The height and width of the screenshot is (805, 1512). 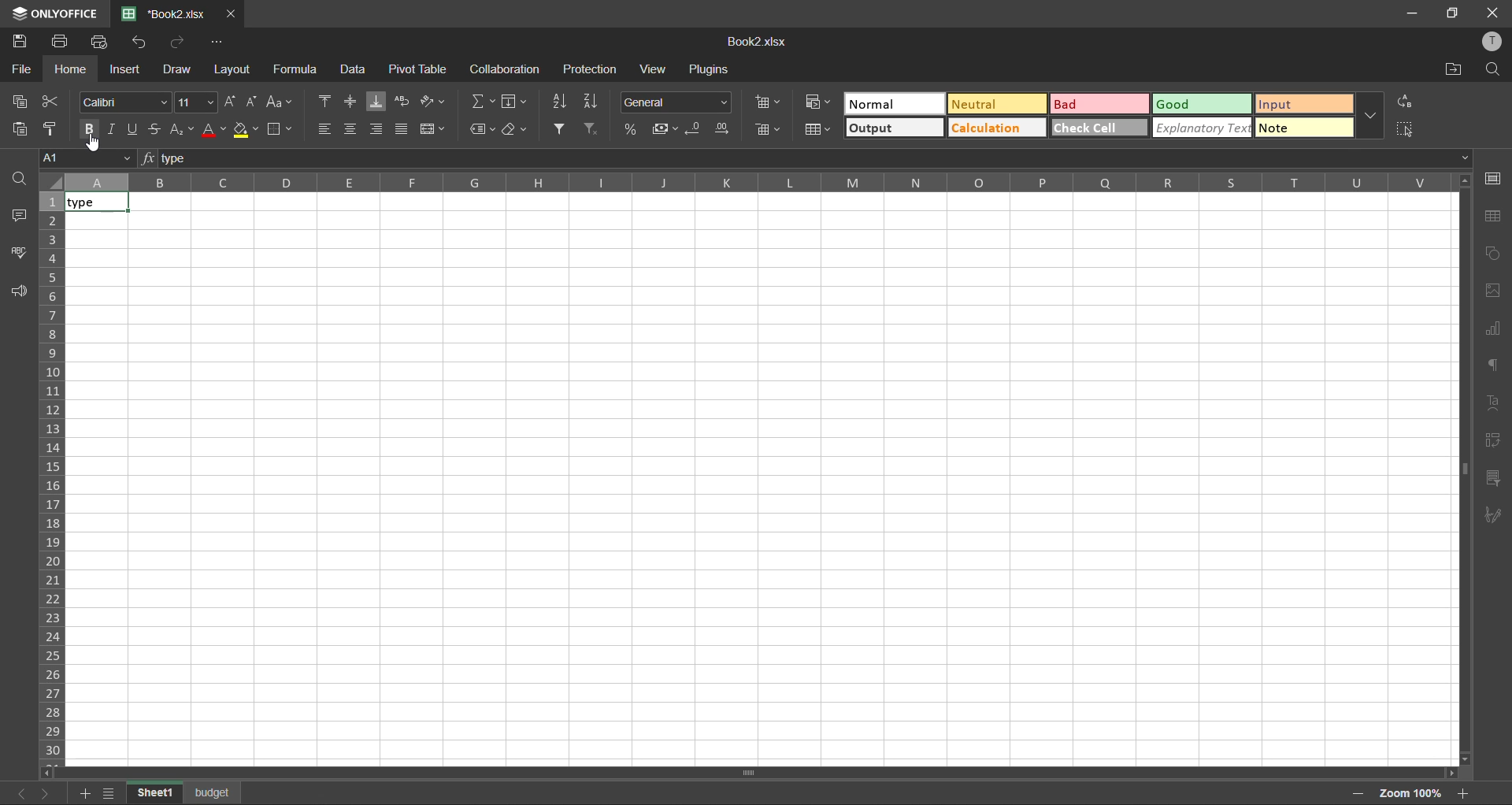 I want to click on font color, so click(x=214, y=132).